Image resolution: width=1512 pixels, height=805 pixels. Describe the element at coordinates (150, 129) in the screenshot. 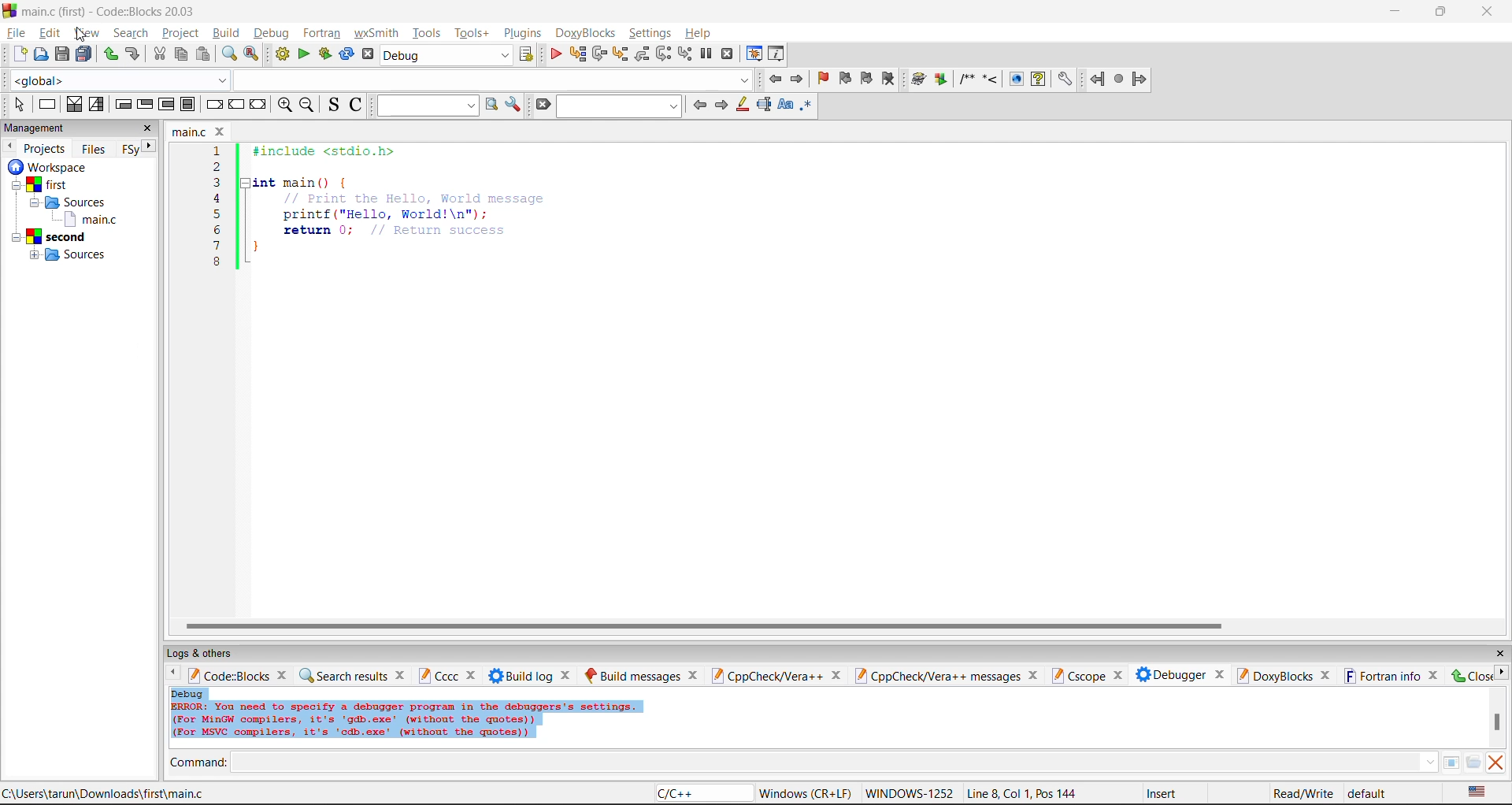

I see `close` at that location.